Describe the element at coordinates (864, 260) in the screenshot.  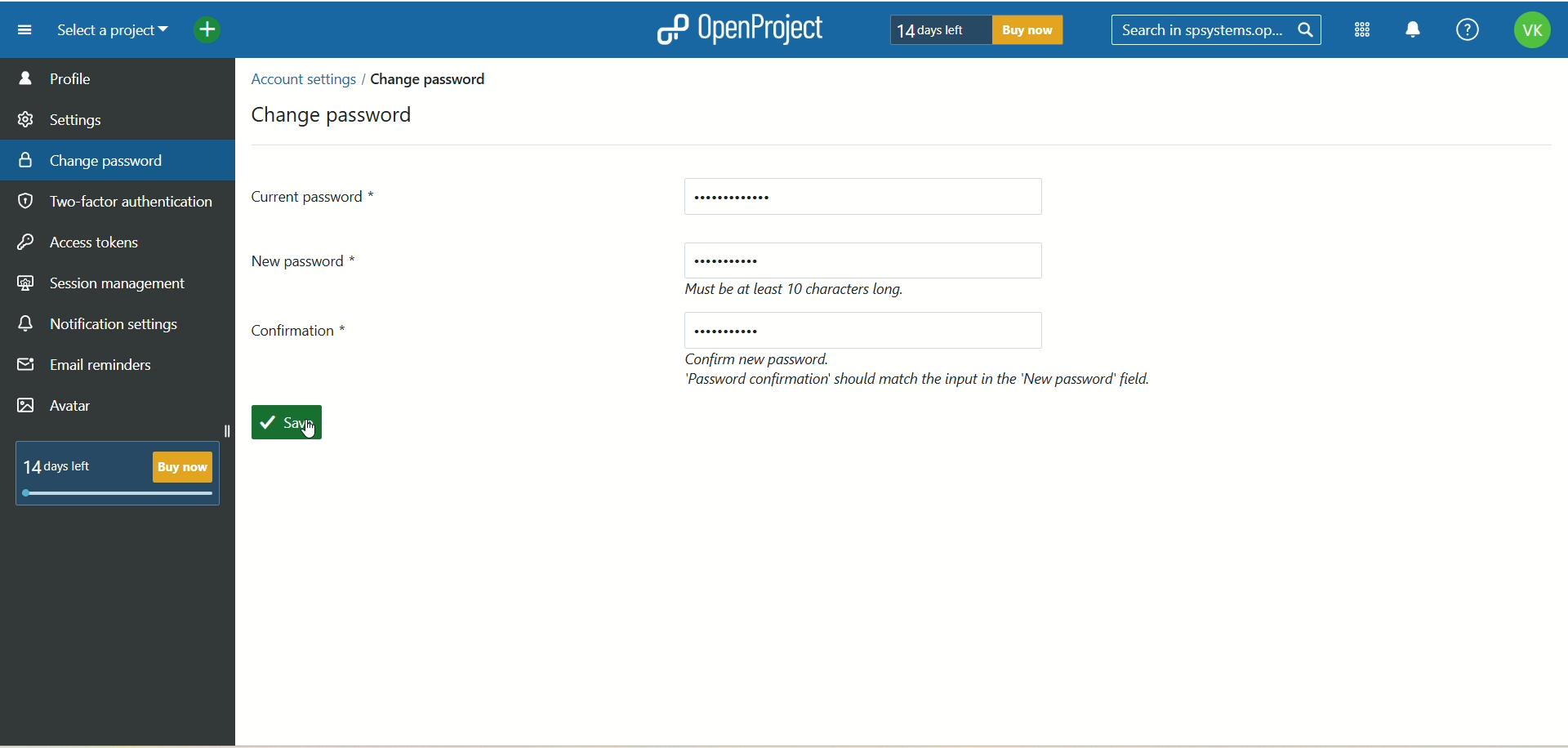
I see `new password` at that location.